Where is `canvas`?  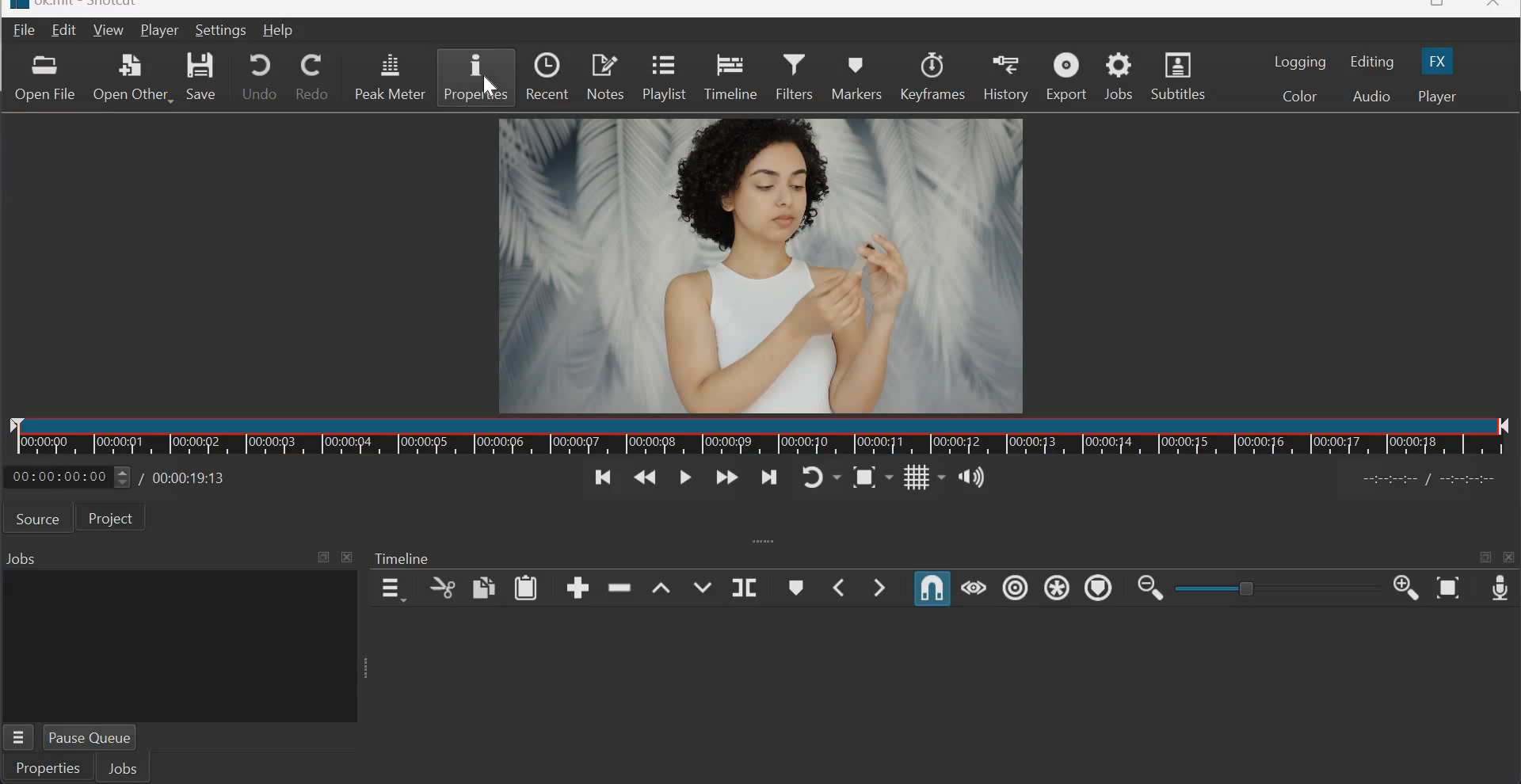 canvas is located at coordinates (764, 265).